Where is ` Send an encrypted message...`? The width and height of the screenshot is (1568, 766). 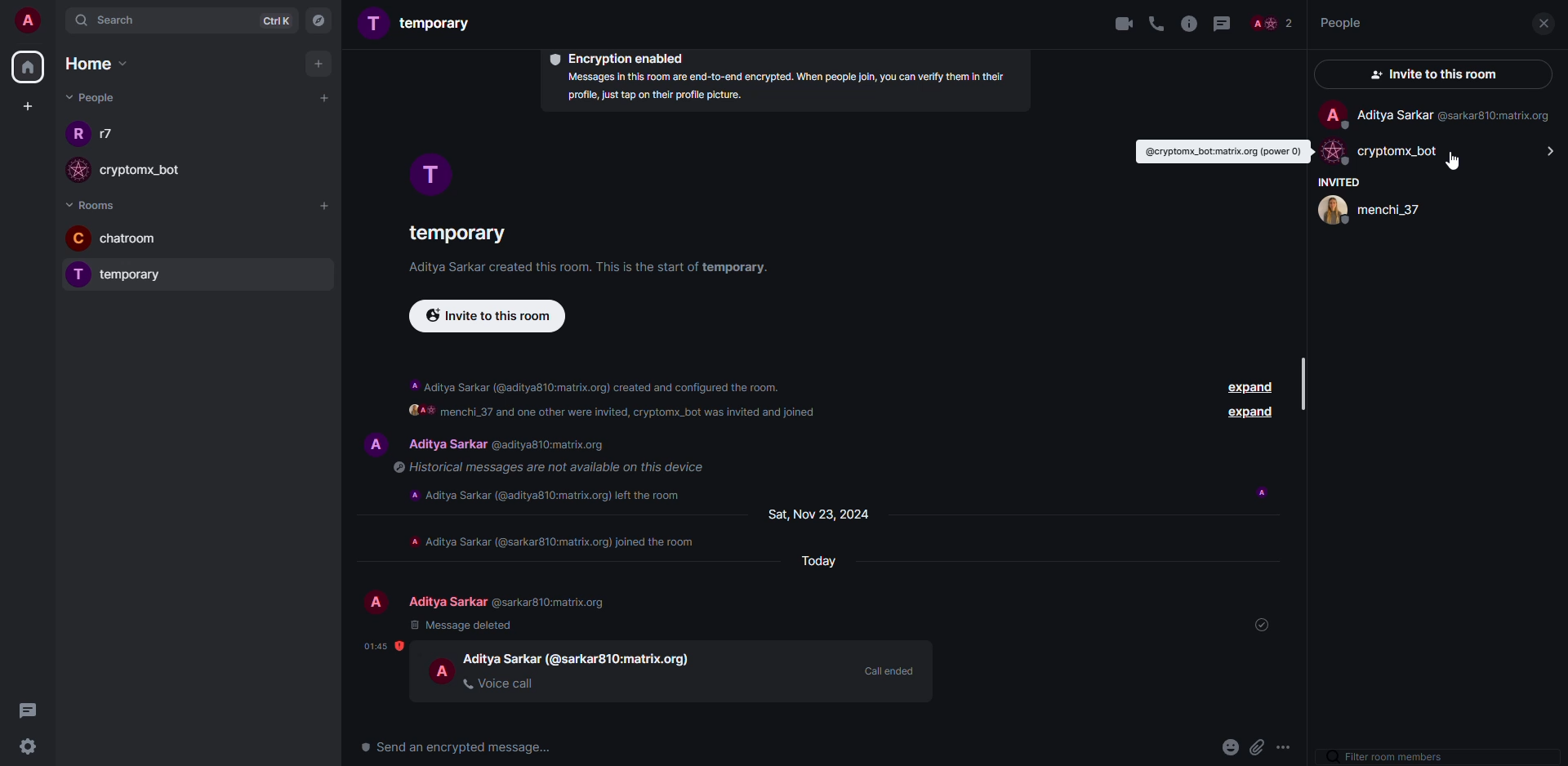  Send an encrypted message... is located at coordinates (457, 748).